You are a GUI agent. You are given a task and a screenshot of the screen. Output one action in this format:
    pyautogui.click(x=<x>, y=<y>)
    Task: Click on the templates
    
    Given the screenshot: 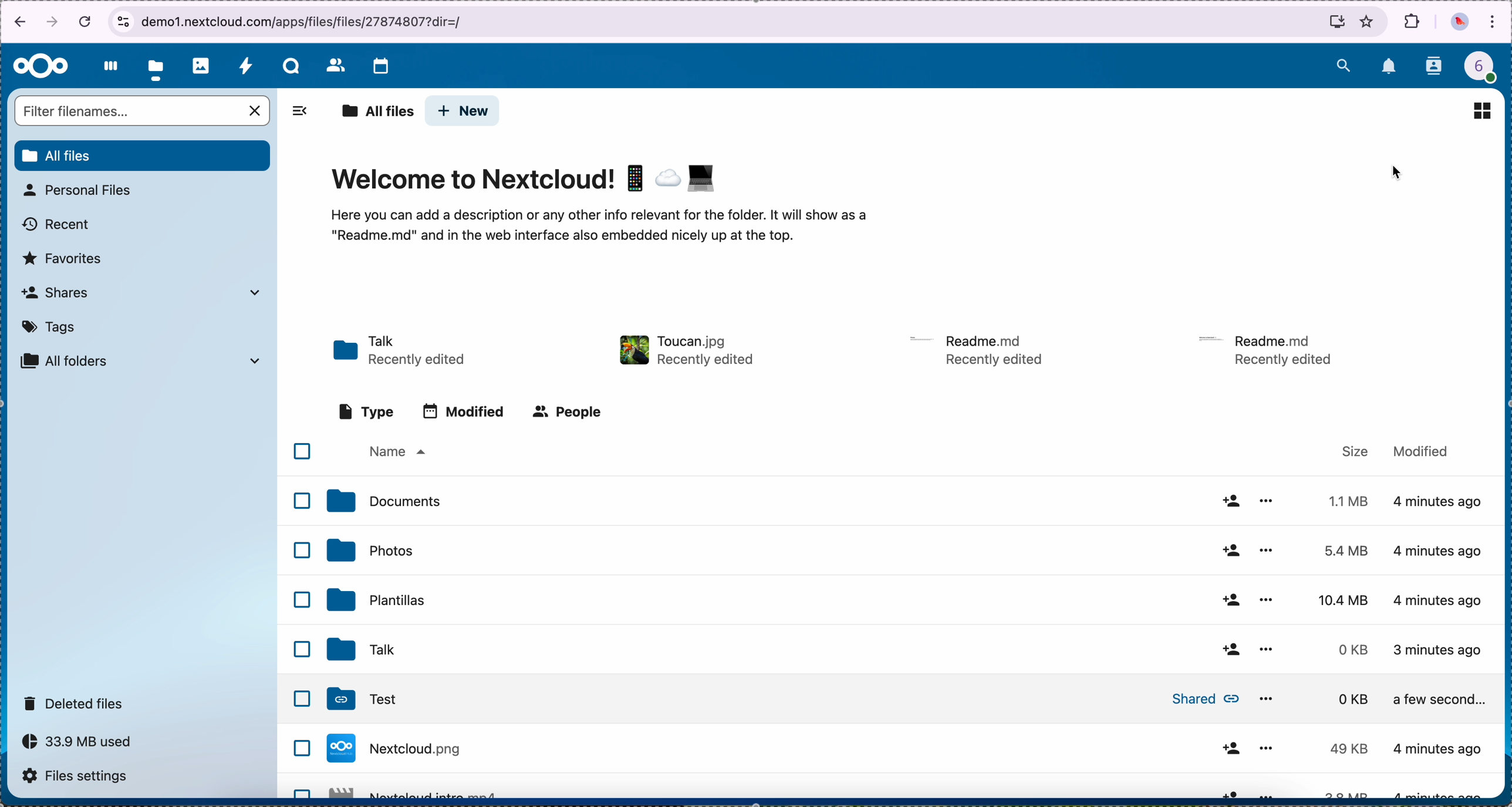 What is the action you would take?
    pyautogui.click(x=377, y=599)
    